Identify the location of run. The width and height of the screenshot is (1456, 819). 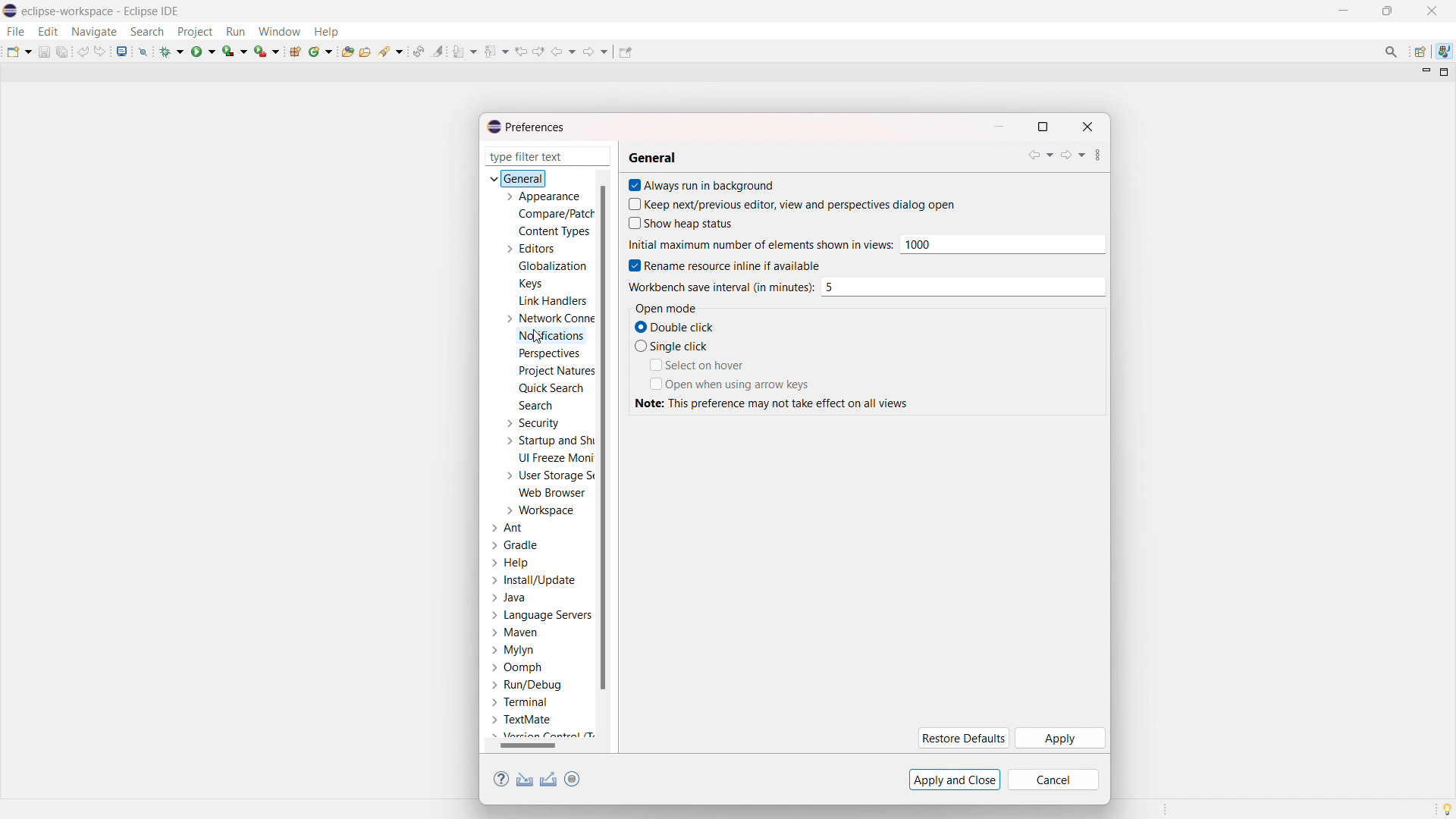
(235, 32).